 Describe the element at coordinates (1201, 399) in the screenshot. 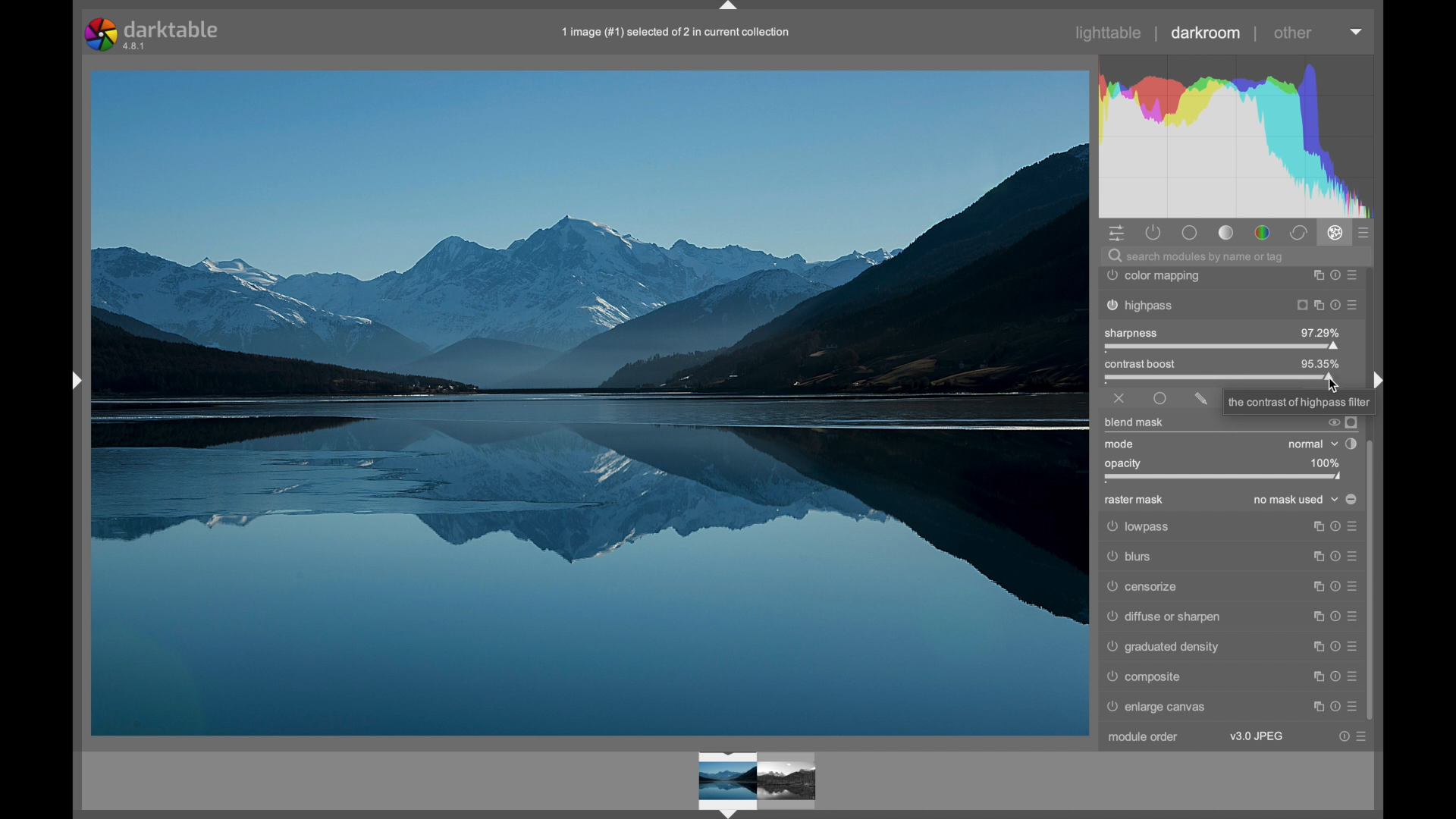

I see `drawn mask` at that location.